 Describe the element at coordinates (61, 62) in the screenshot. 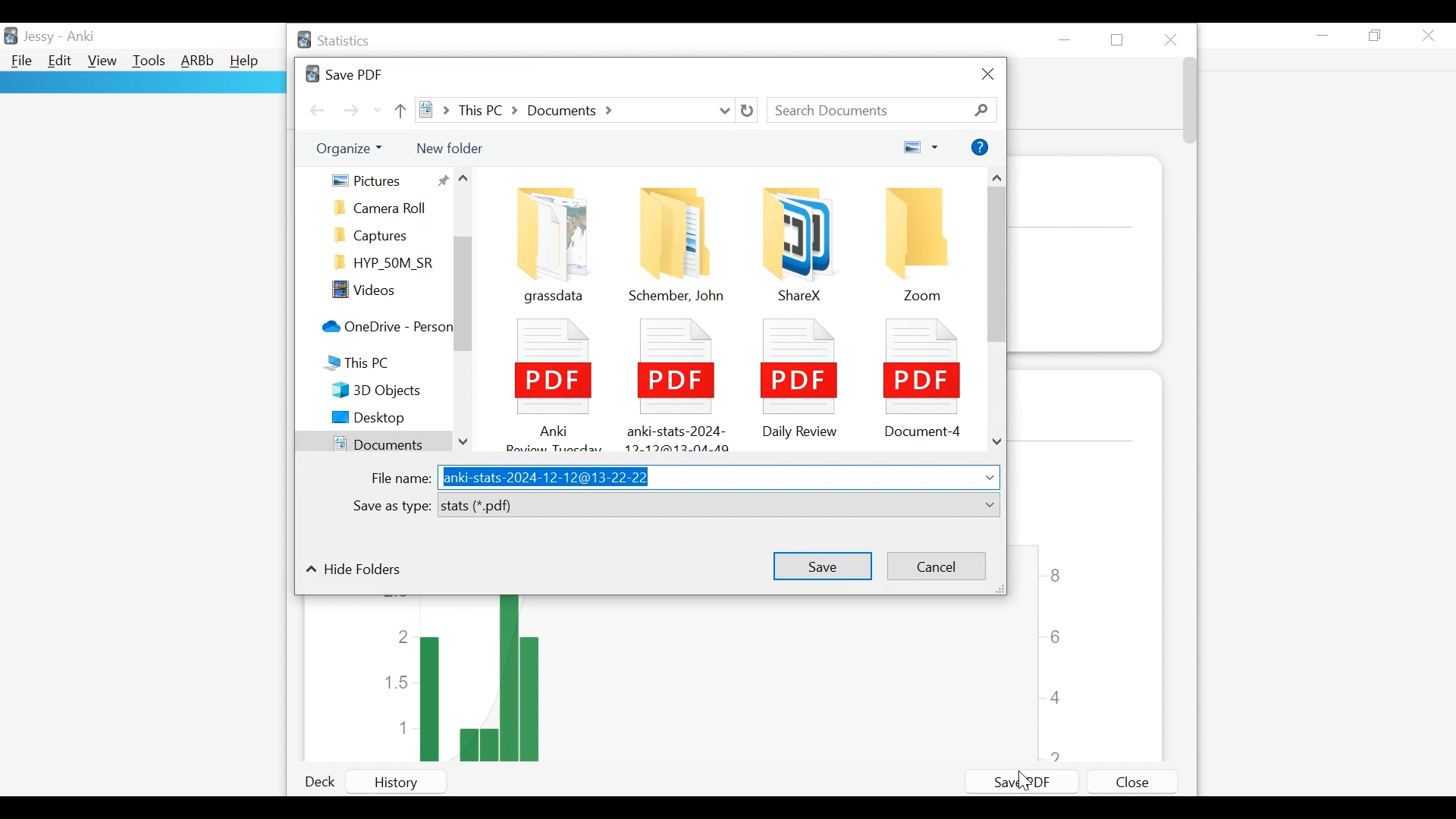

I see `Edit` at that location.